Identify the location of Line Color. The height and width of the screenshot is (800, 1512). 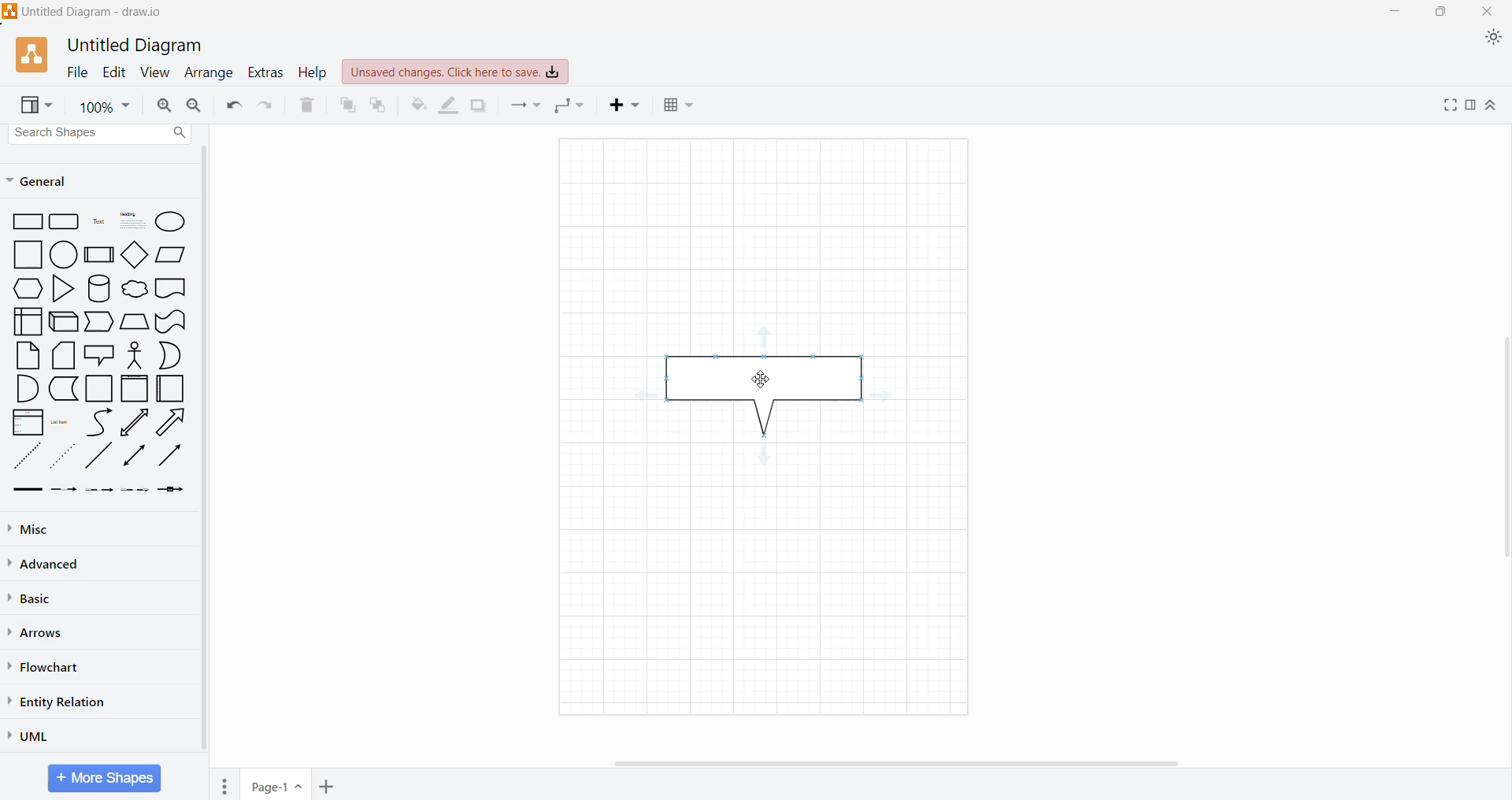
(449, 105).